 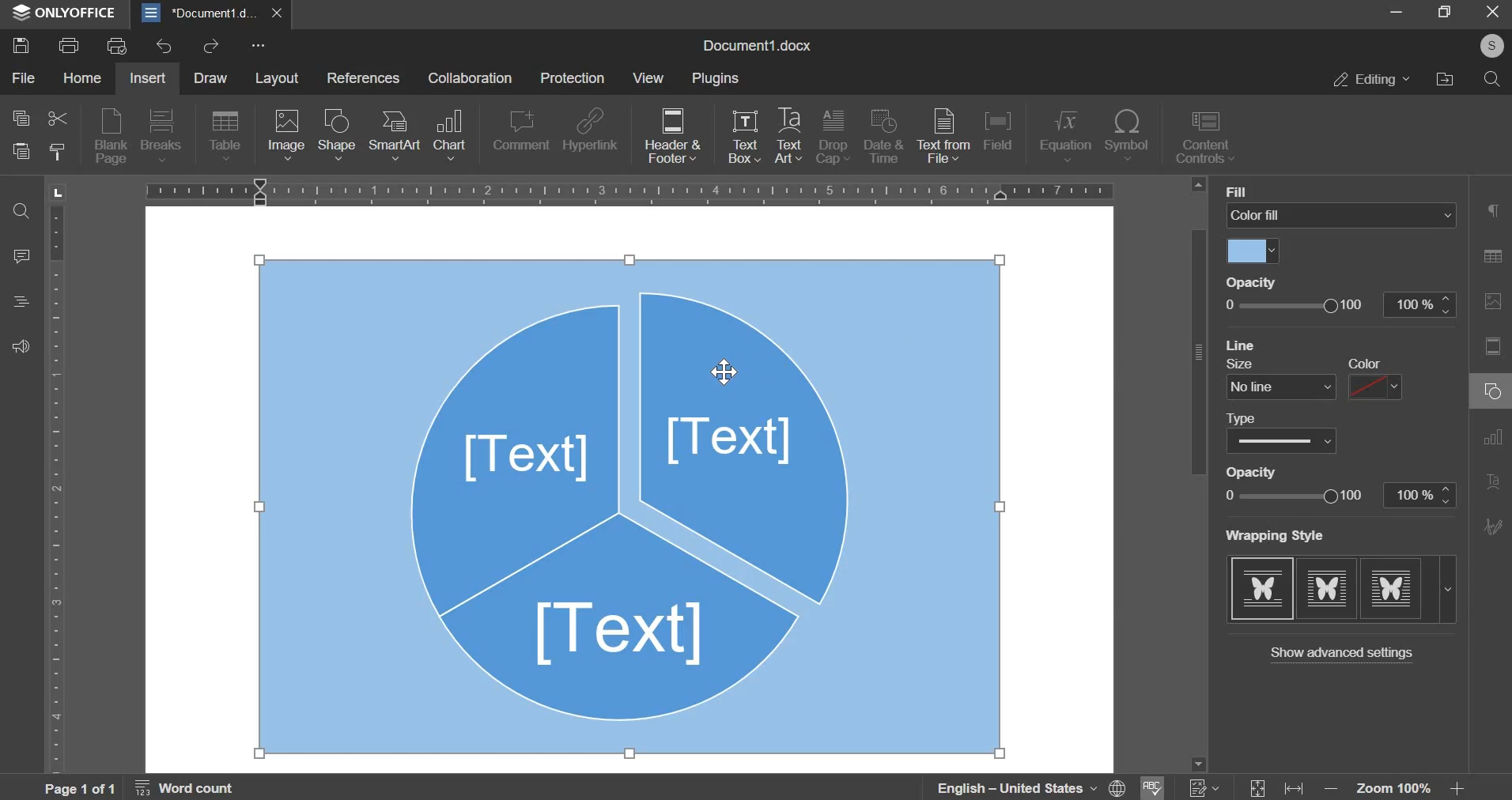 I want to click on , so click(x=1354, y=362).